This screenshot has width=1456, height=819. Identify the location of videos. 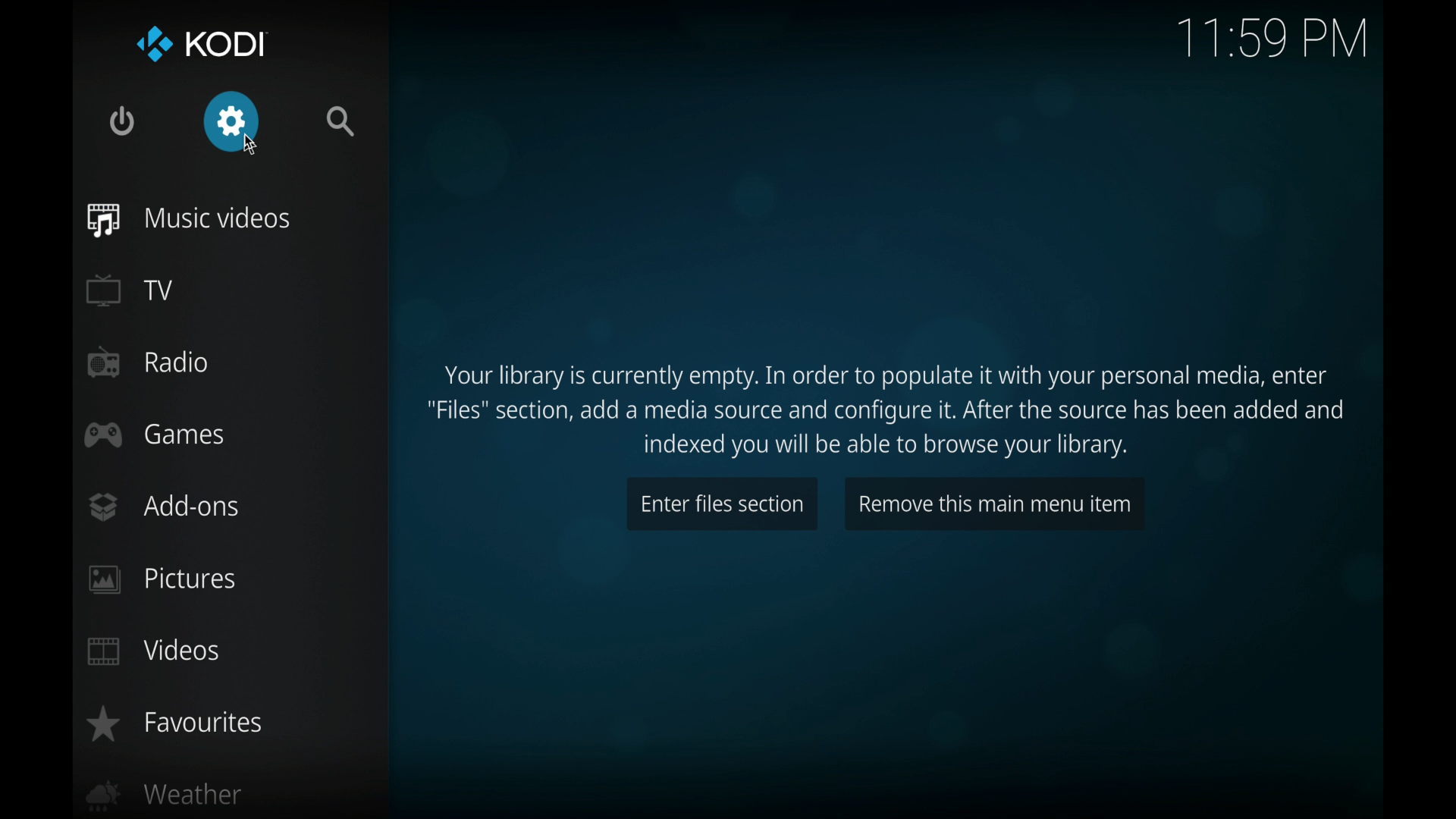
(156, 651).